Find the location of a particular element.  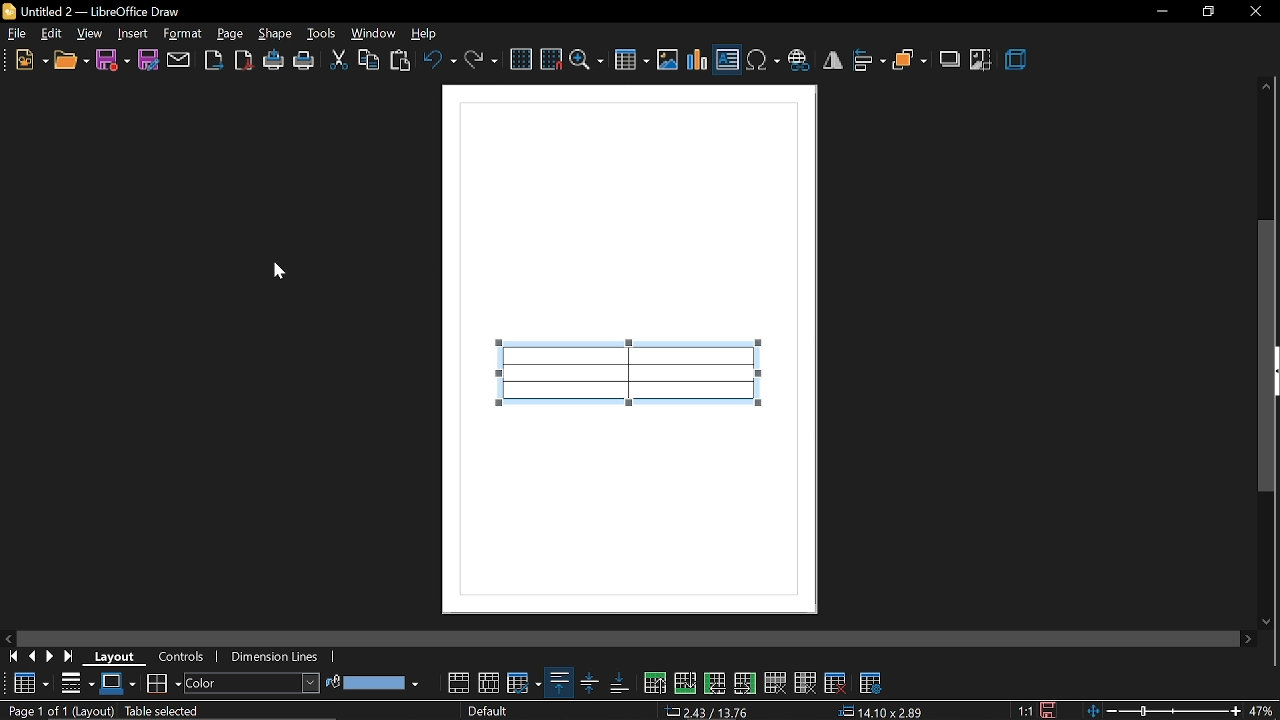

47% is located at coordinates (1264, 710).